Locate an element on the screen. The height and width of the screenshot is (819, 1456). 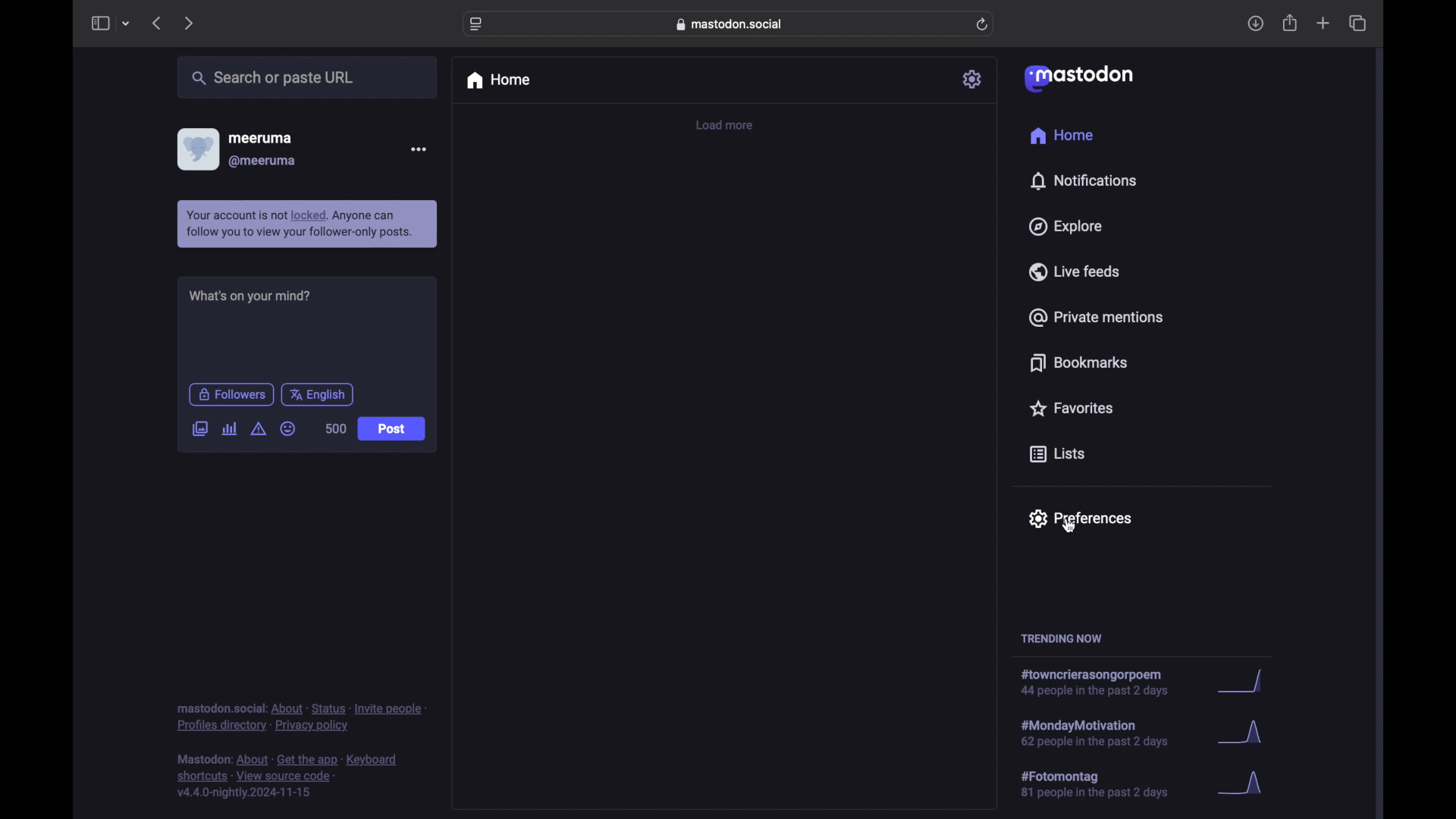
web address is located at coordinates (730, 24).